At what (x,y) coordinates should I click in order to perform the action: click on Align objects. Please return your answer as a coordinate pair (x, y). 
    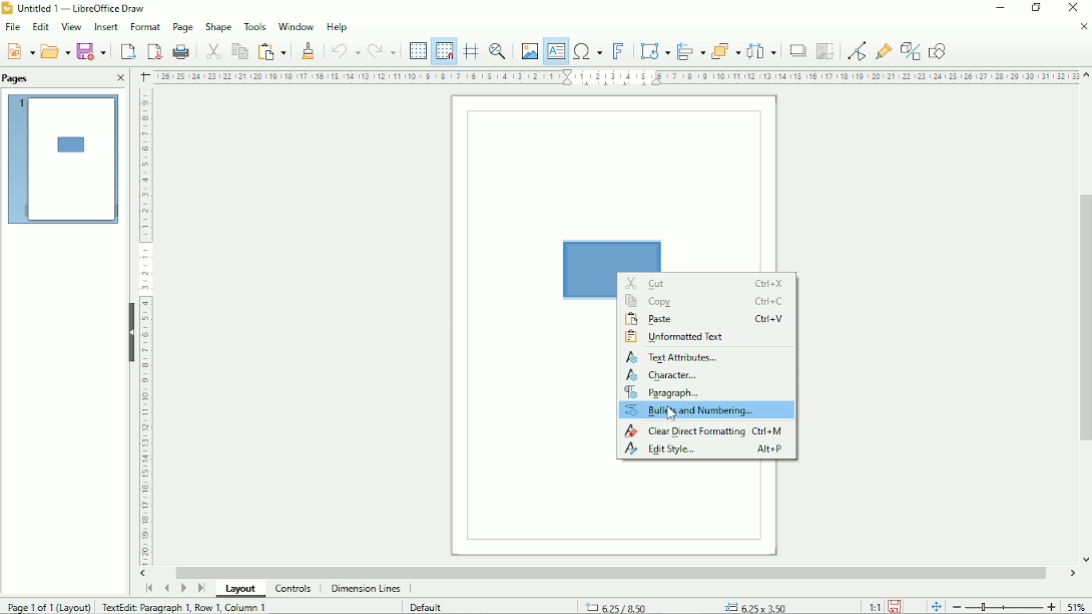
    Looking at the image, I should click on (690, 49).